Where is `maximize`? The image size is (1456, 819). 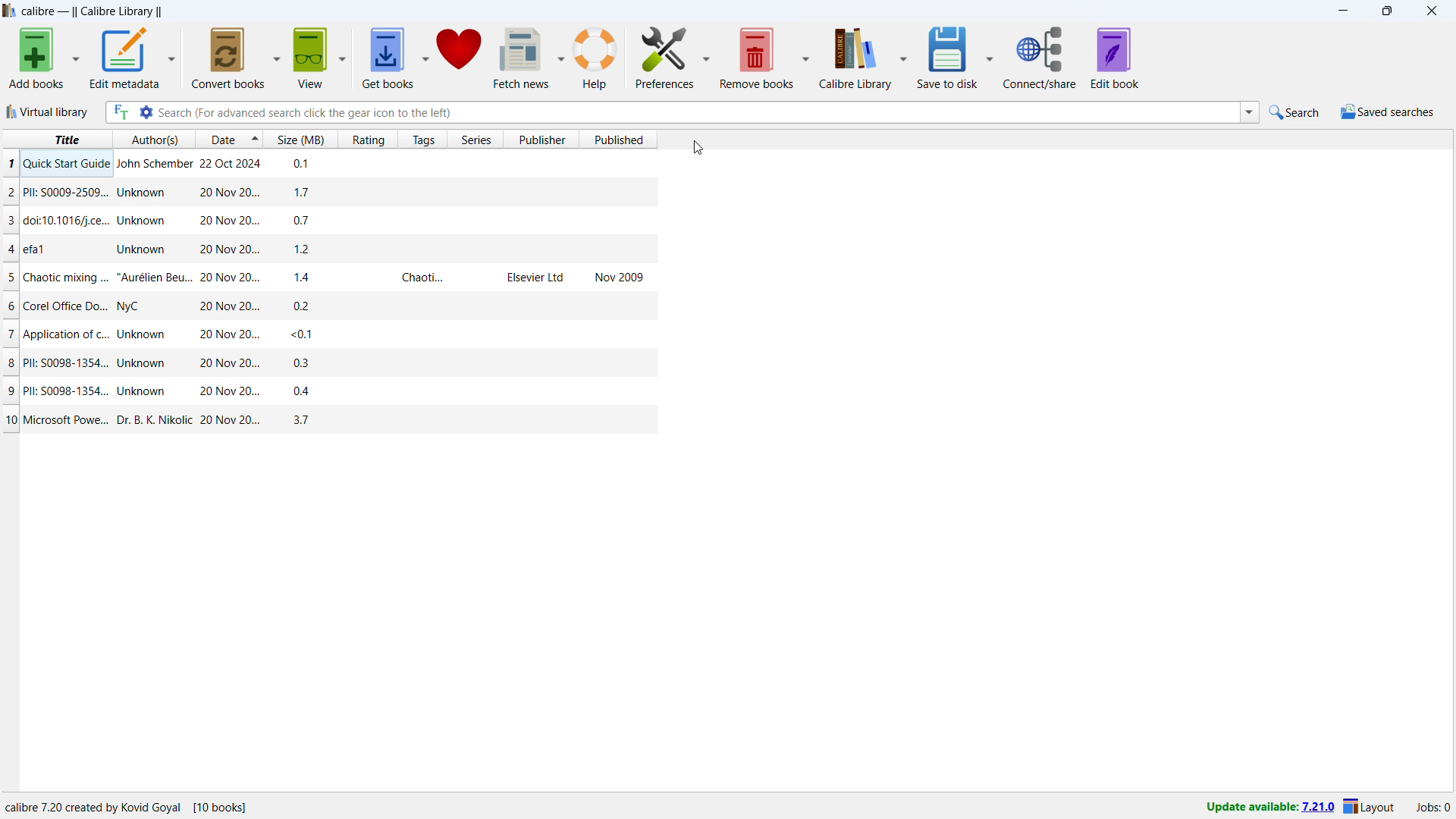 maximize is located at coordinates (1388, 11).